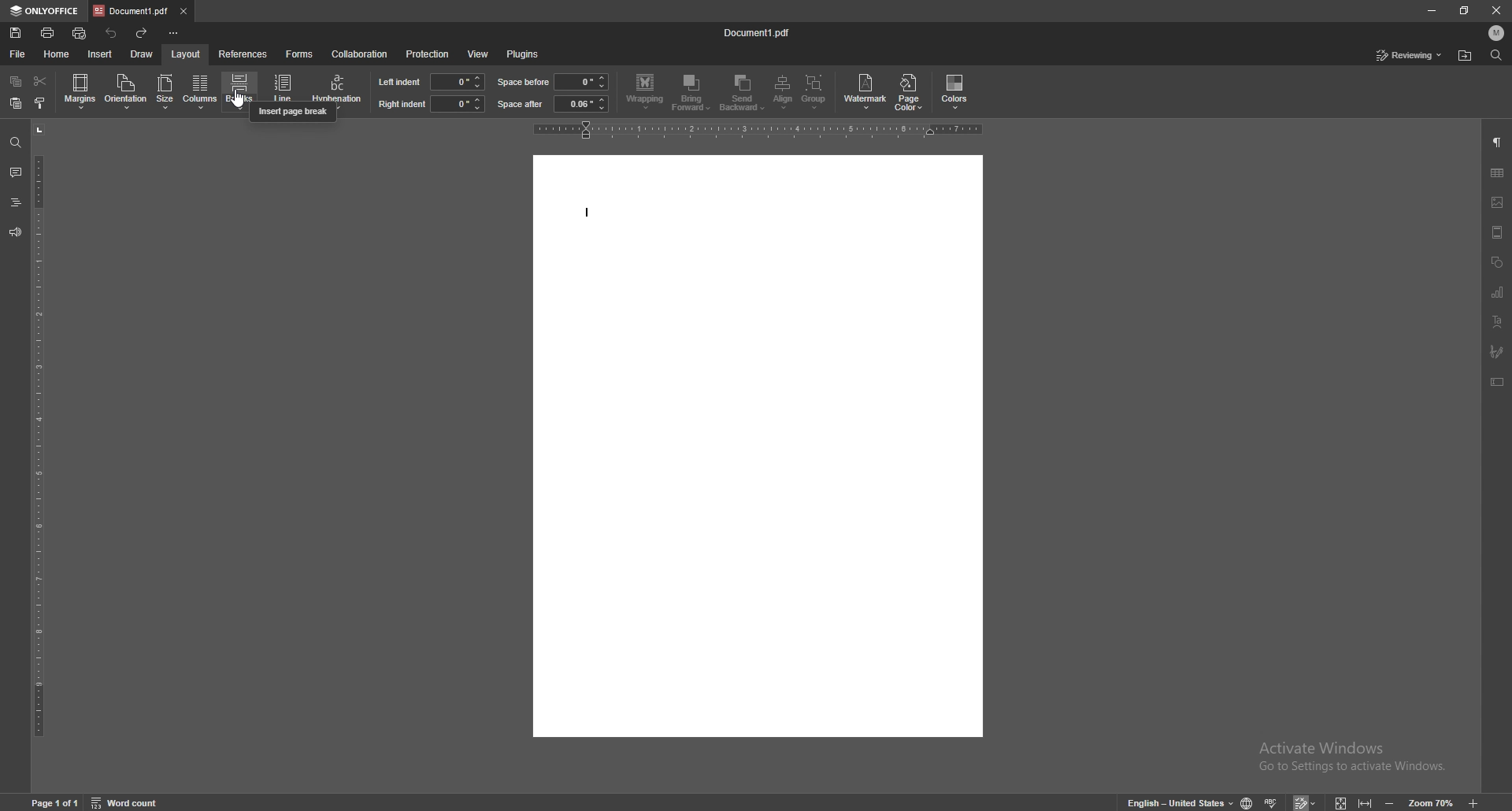 The image size is (1512, 811). I want to click on input right indent, so click(457, 103).